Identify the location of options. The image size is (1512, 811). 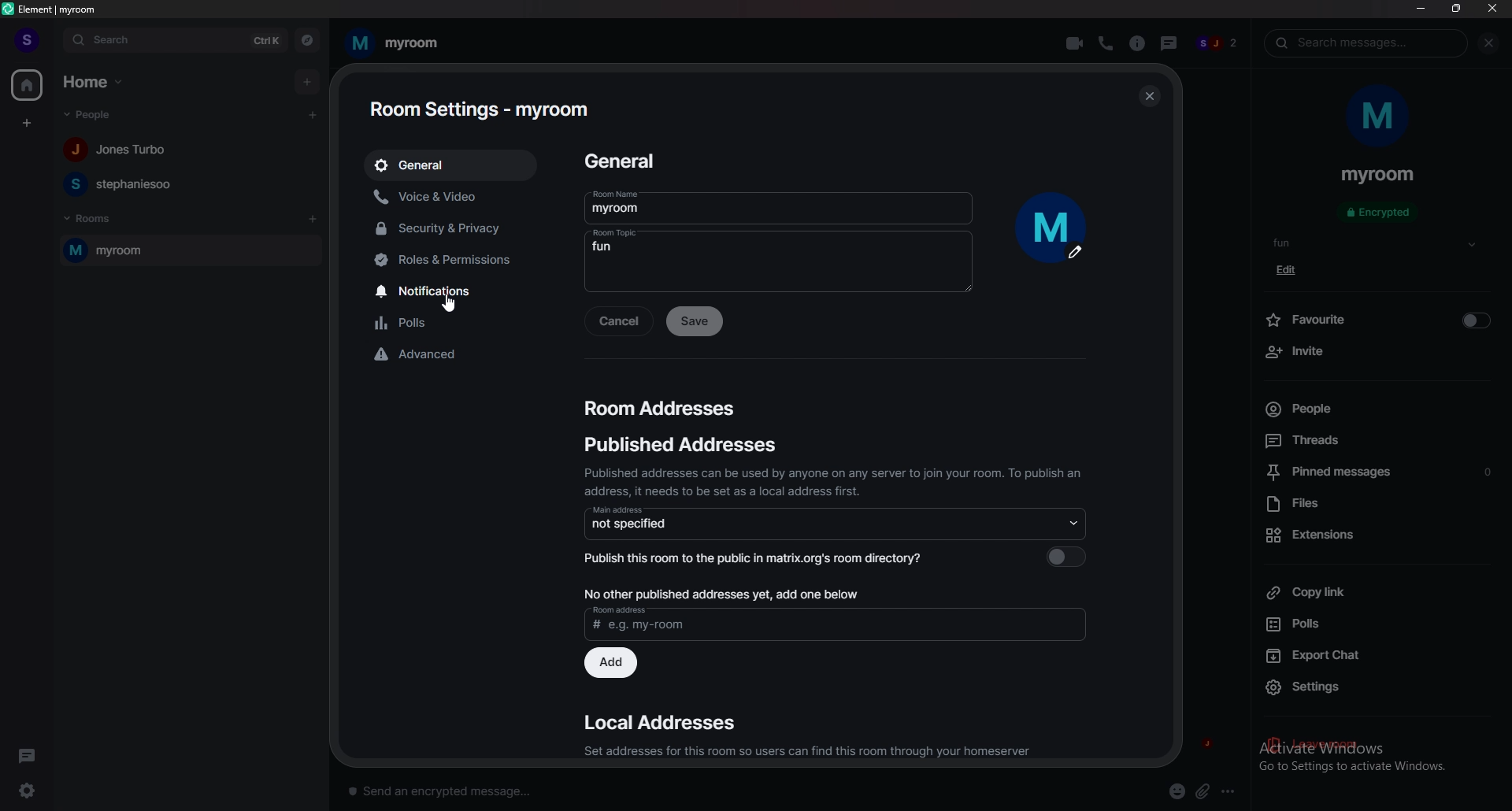
(1231, 791).